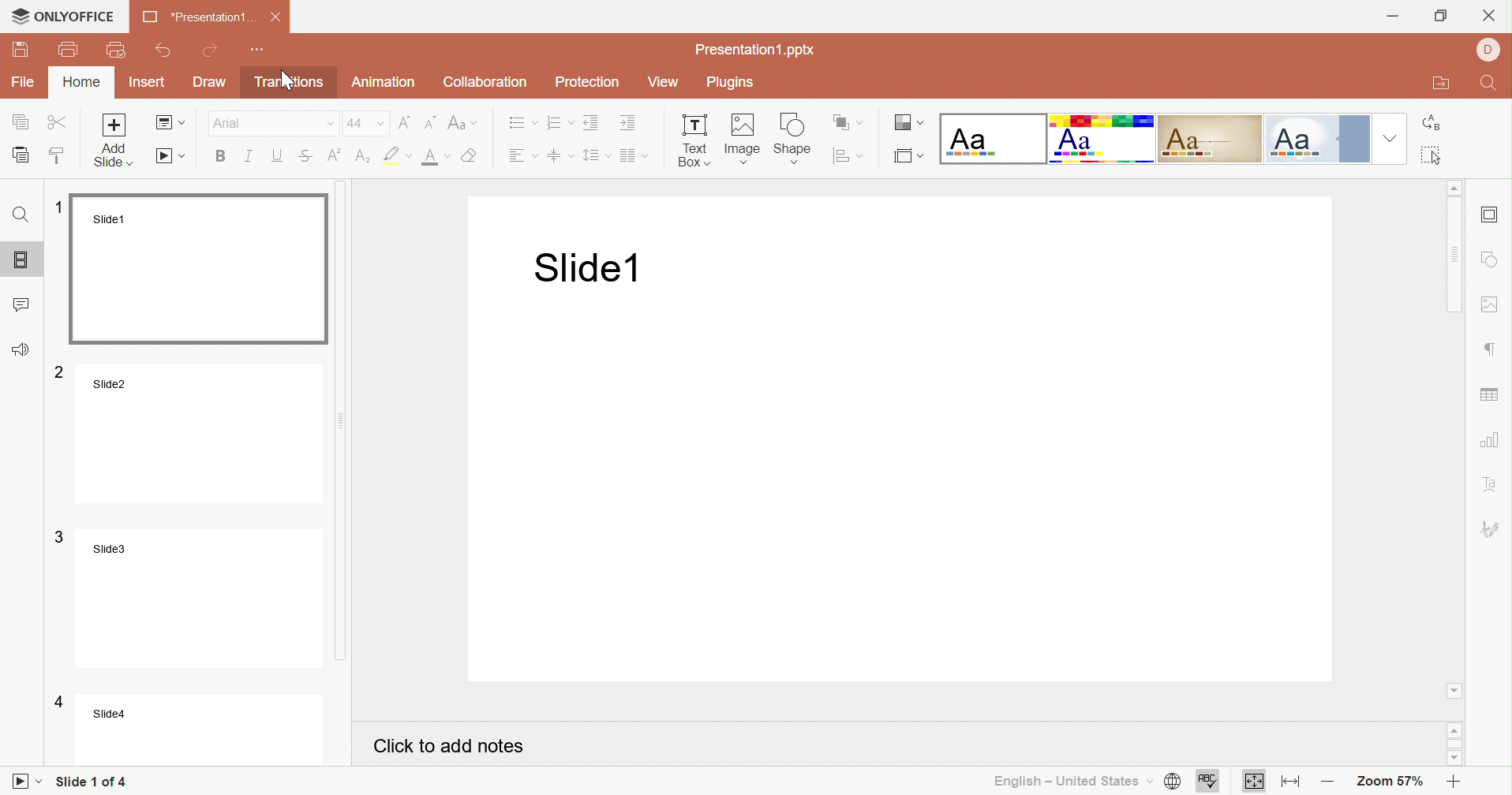 The image size is (1512, 795). Describe the element at coordinates (282, 80) in the screenshot. I see `Cursor on transitions` at that location.